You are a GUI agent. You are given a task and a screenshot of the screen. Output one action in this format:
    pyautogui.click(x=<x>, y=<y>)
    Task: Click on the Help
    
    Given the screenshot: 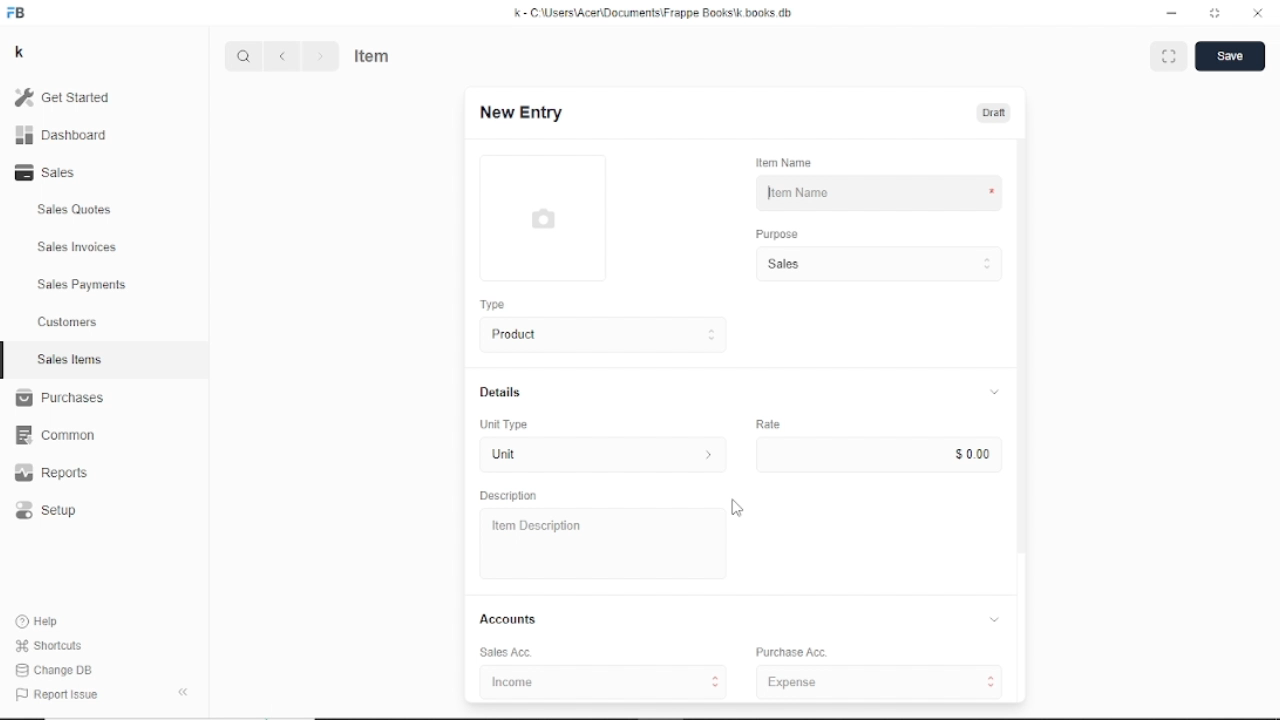 What is the action you would take?
    pyautogui.click(x=41, y=621)
    